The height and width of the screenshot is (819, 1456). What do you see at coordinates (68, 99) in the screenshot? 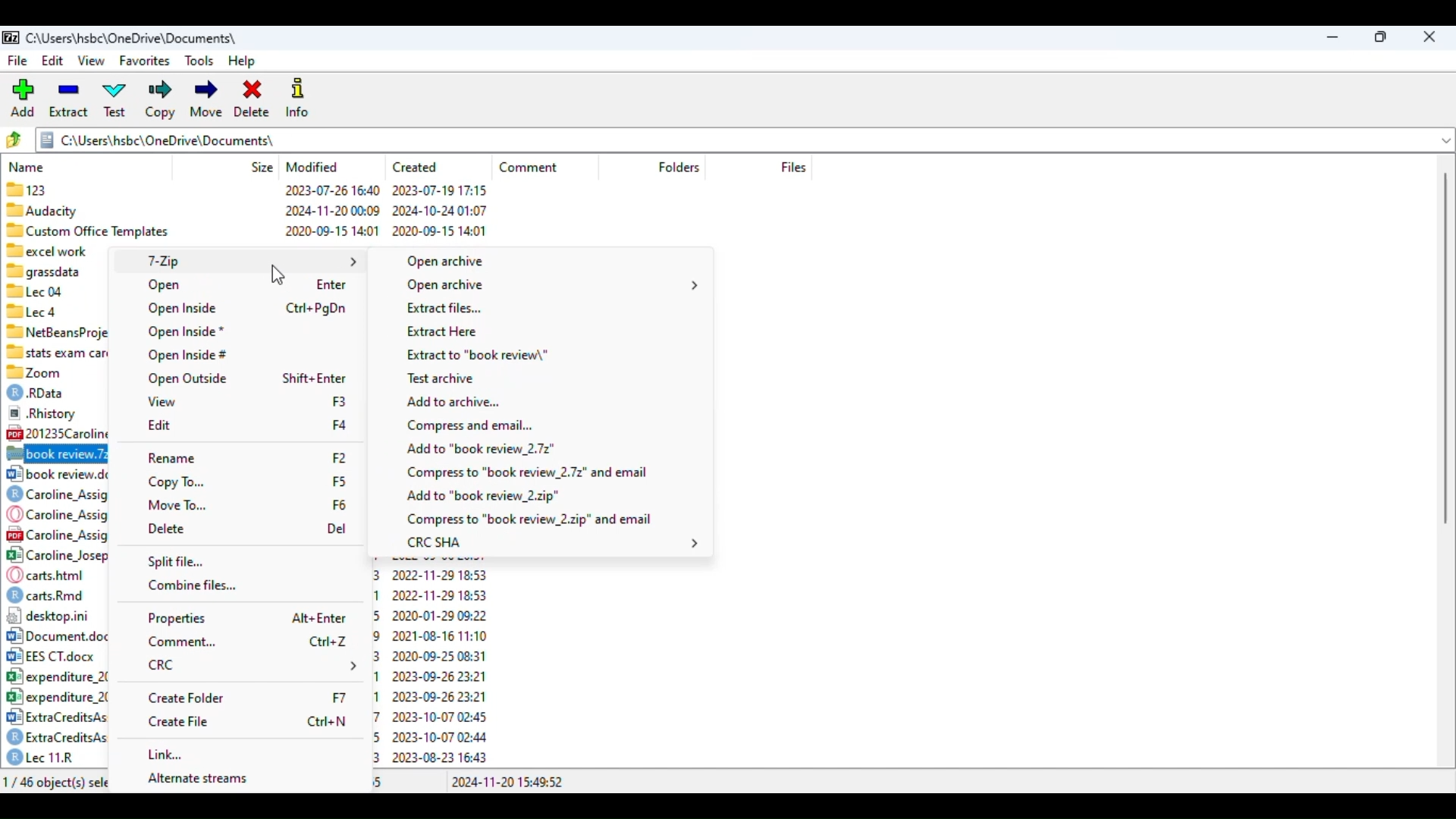
I see `extract` at bounding box center [68, 99].